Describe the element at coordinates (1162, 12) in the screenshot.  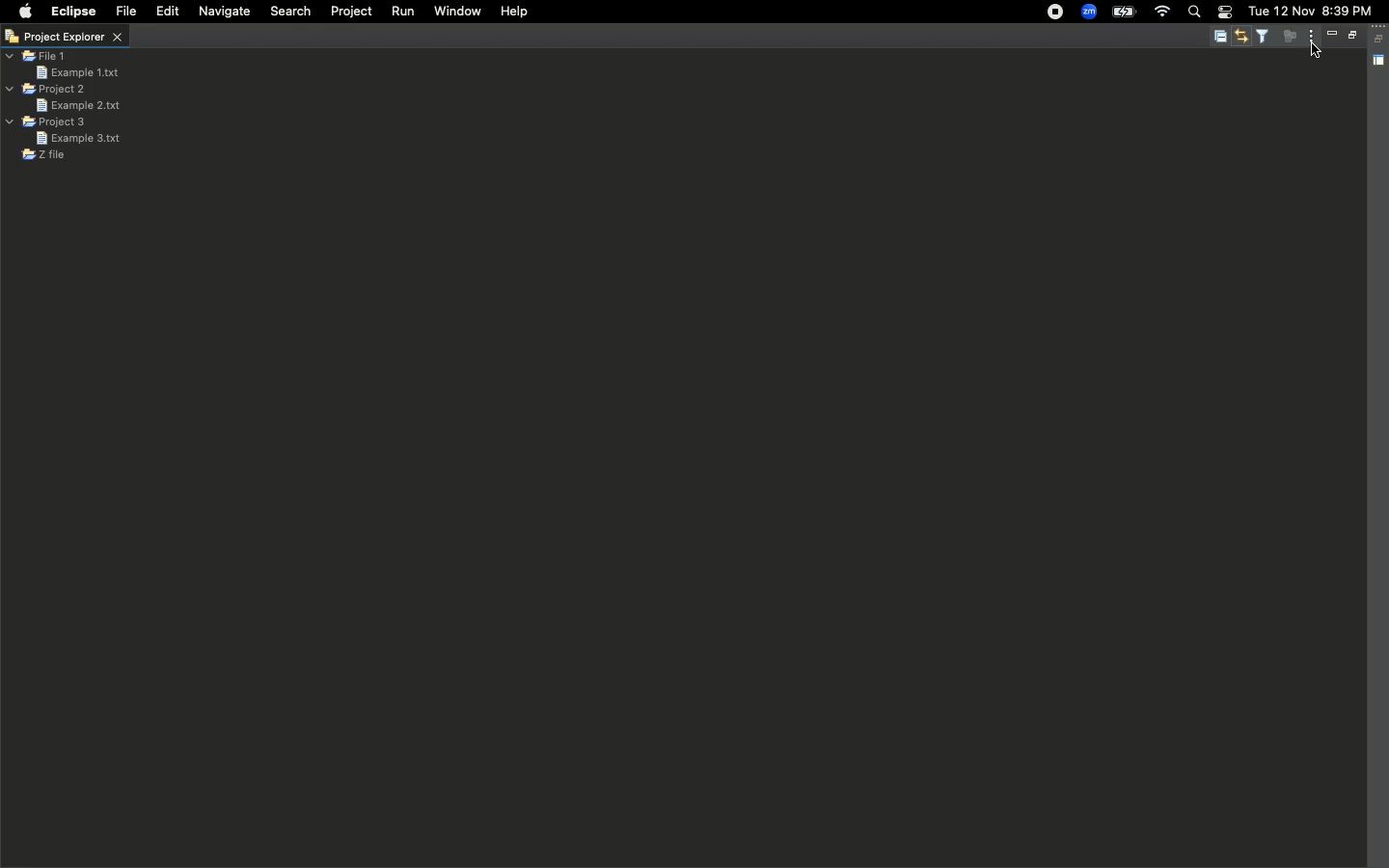
I see `Internet` at that location.